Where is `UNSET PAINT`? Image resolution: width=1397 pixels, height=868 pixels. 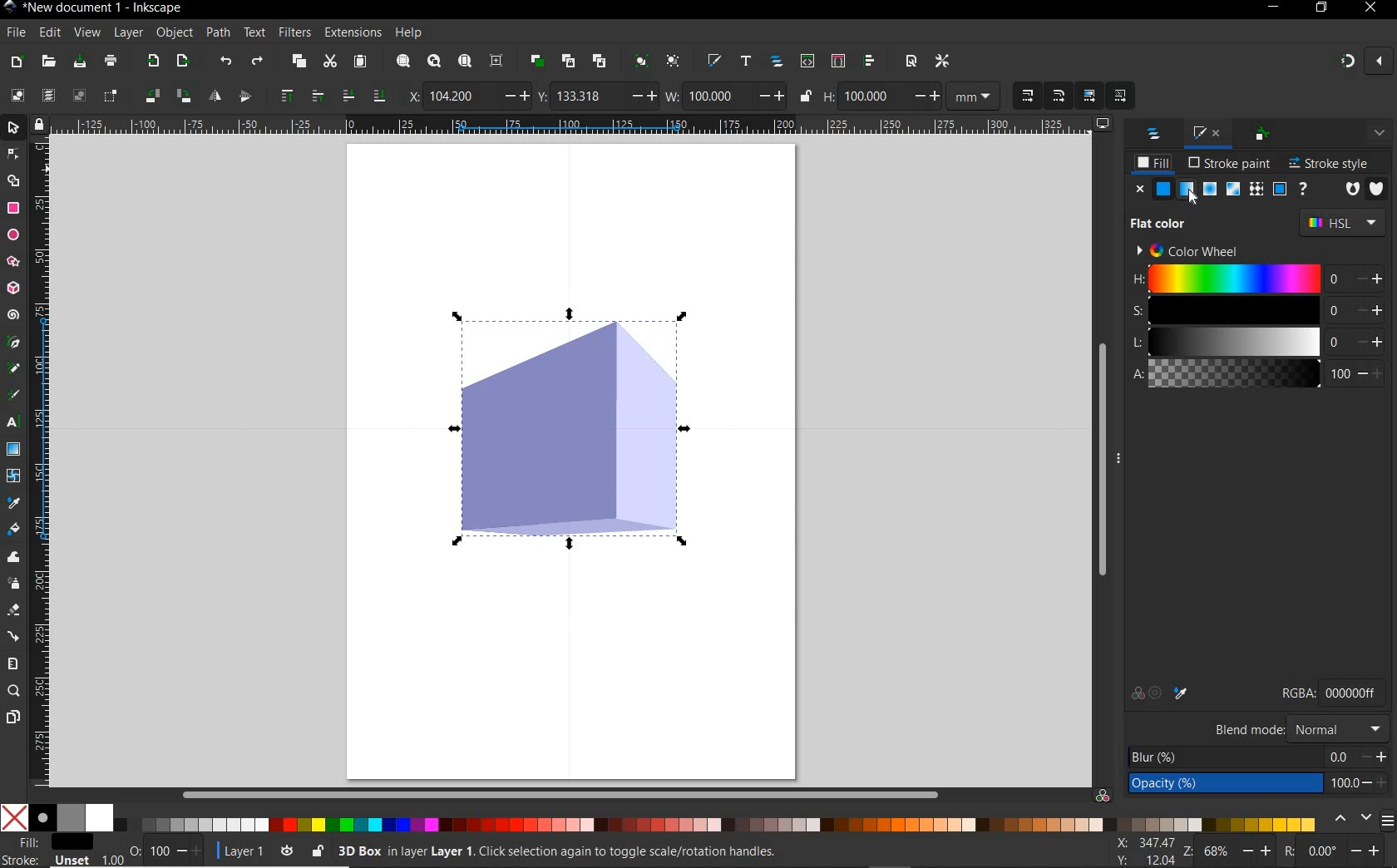
UNSET PAINT is located at coordinates (1303, 191).